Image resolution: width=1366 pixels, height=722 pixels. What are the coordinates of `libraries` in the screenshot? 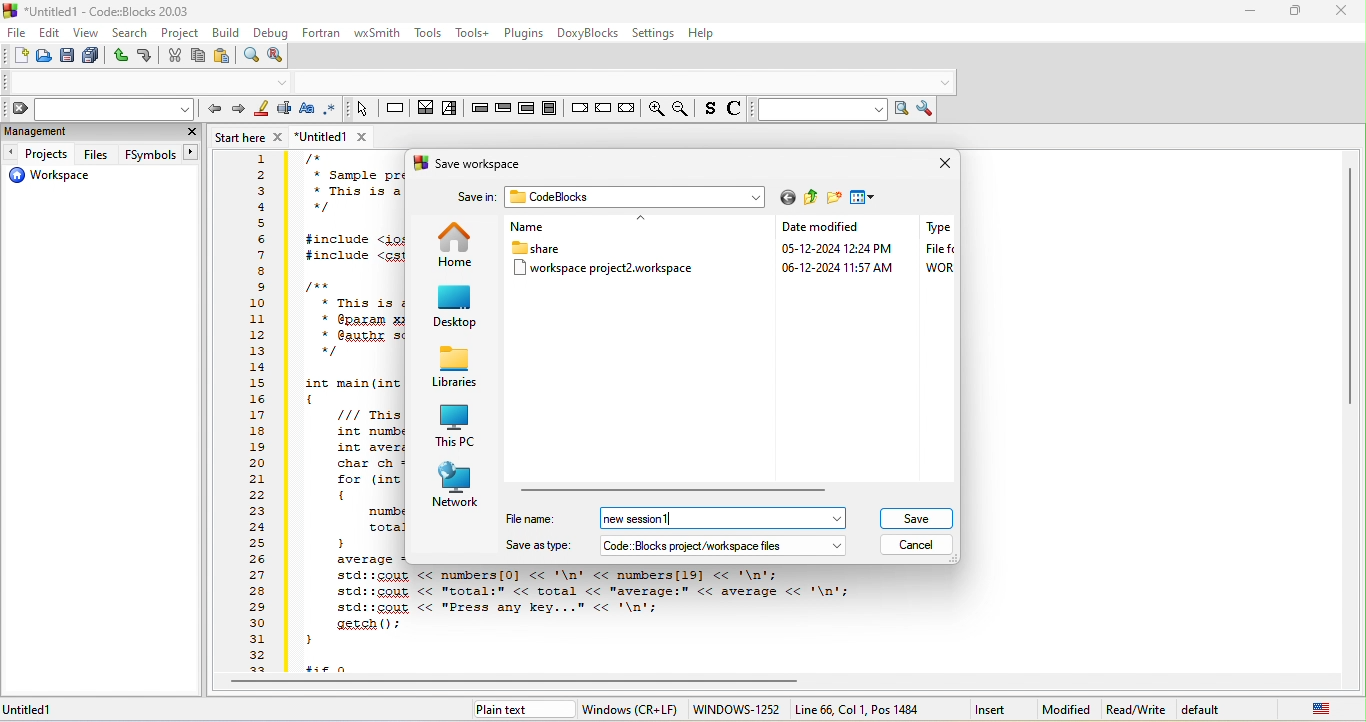 It's located at (454, 368).